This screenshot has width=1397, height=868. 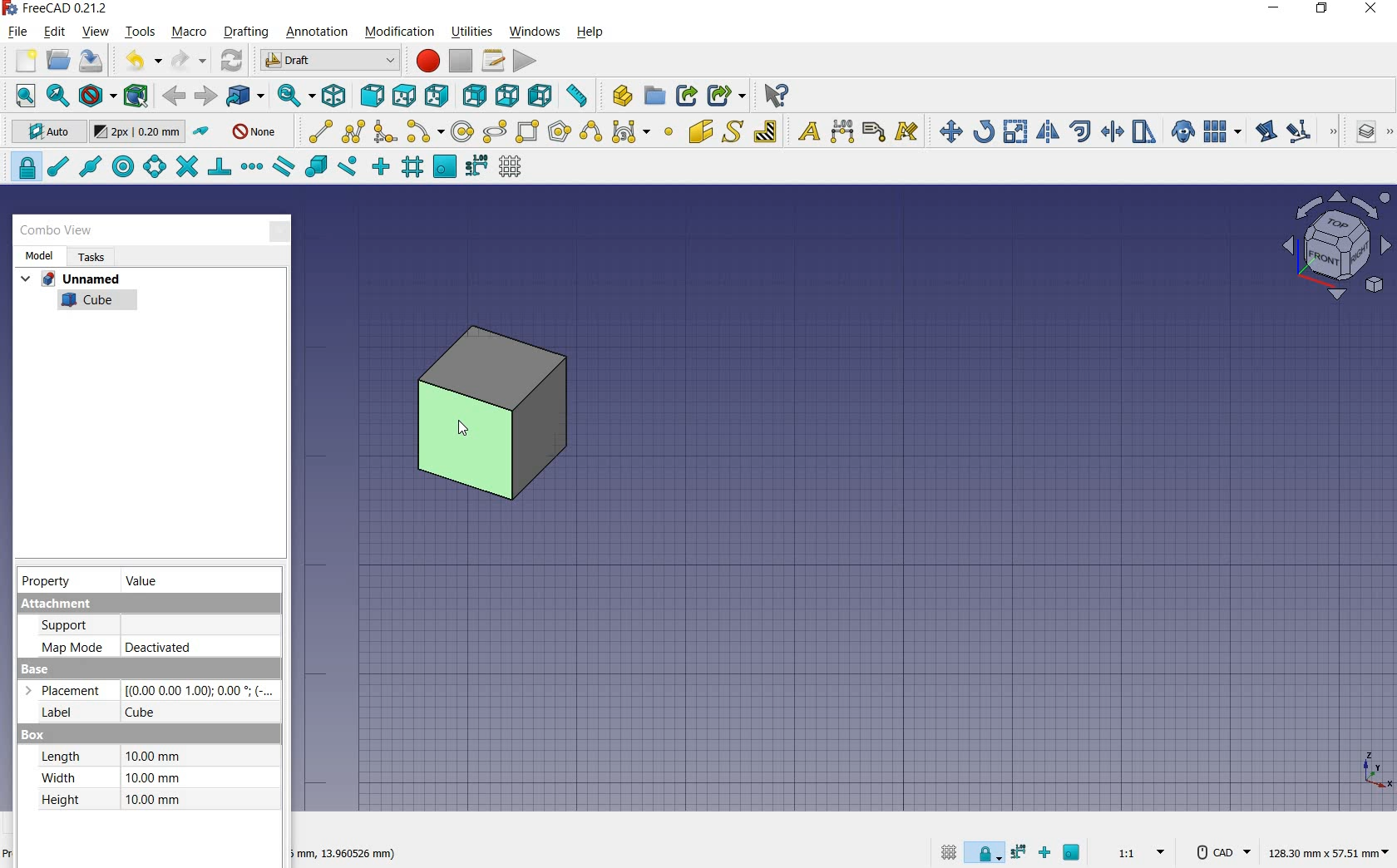 What do you see at coordinates (70, 279) in the screenshot?
I see `unnamed` at bounding box center [70, 279].